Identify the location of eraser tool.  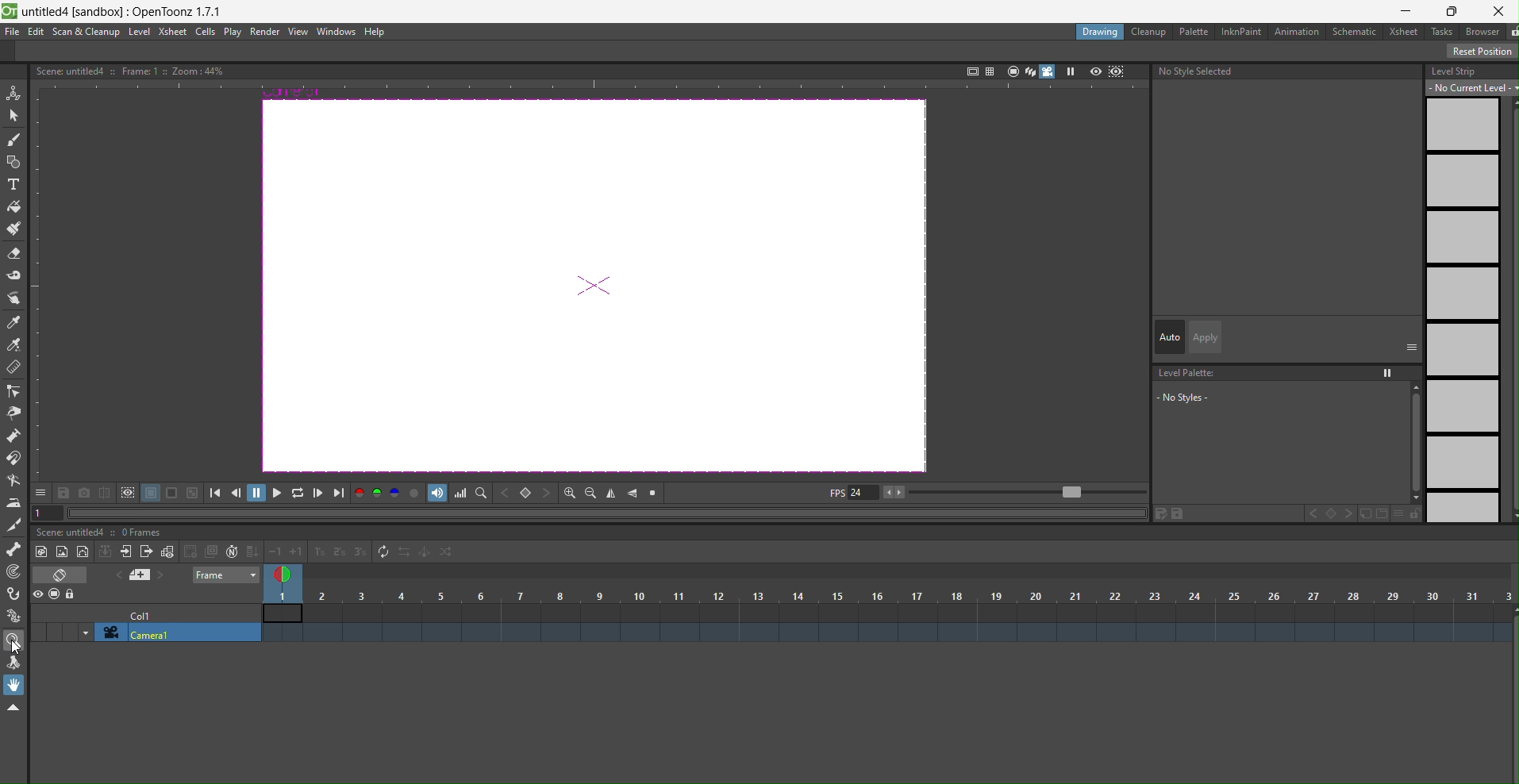
(13, 253).